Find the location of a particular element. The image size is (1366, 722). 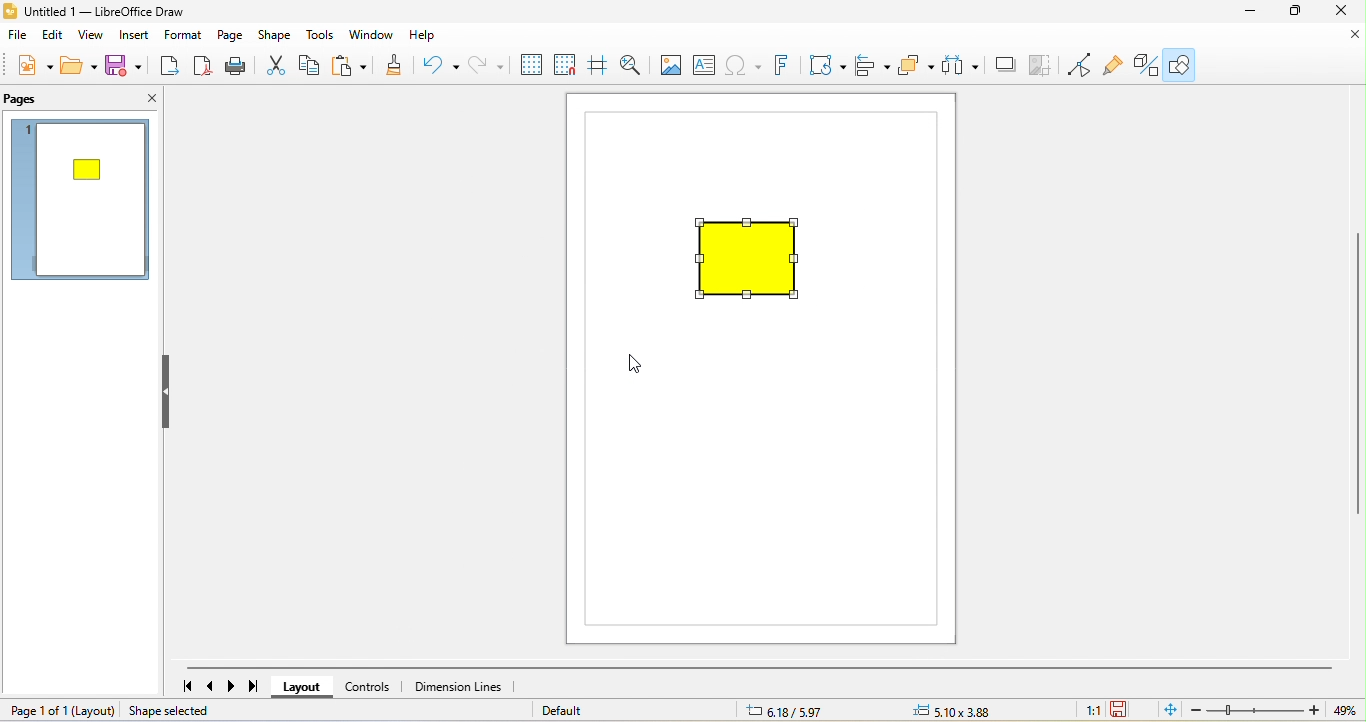

zoom is located at coordinates (1278, 710).